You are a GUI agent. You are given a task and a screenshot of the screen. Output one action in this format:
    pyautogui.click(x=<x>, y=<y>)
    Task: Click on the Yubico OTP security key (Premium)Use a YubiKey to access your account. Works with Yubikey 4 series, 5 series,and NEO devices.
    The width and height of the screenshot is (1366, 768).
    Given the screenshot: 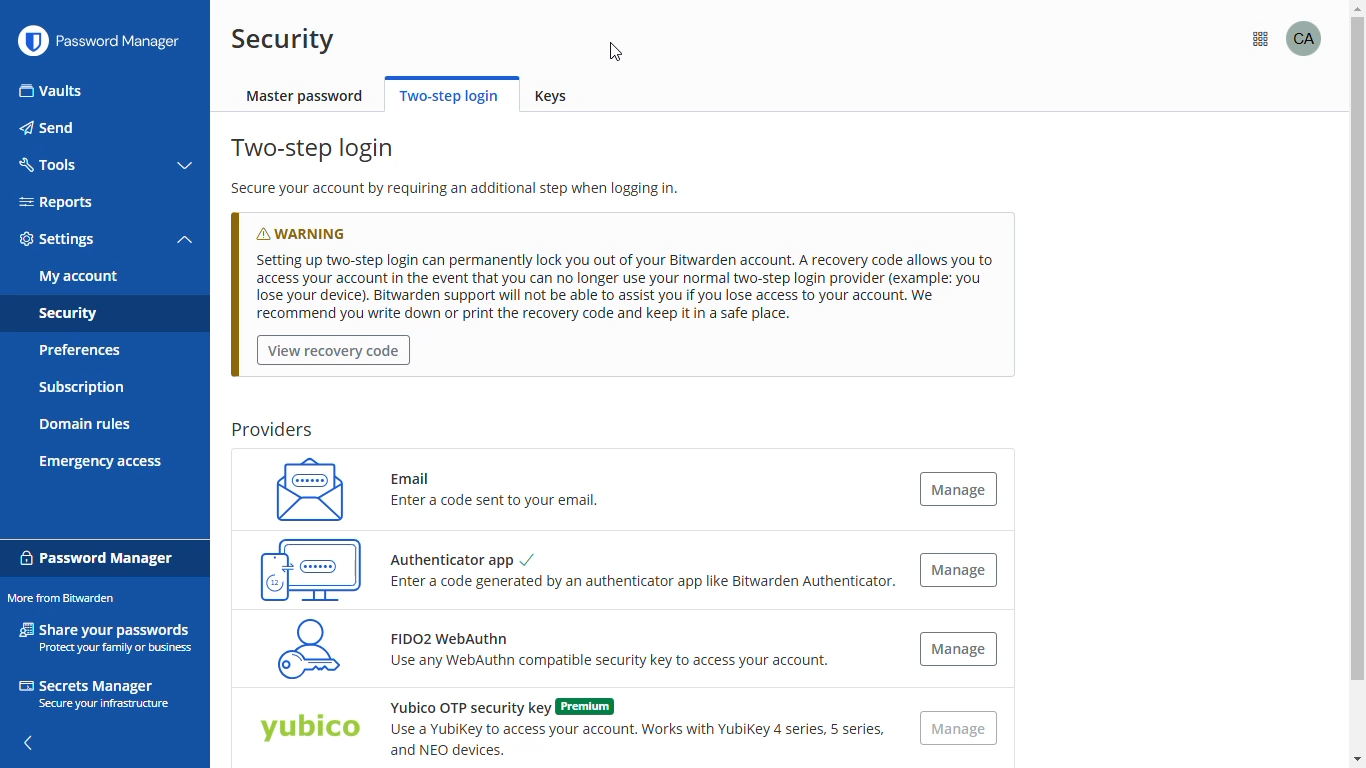 What is the action you would take?
    pyautogui.click(x=634, y=728)
    